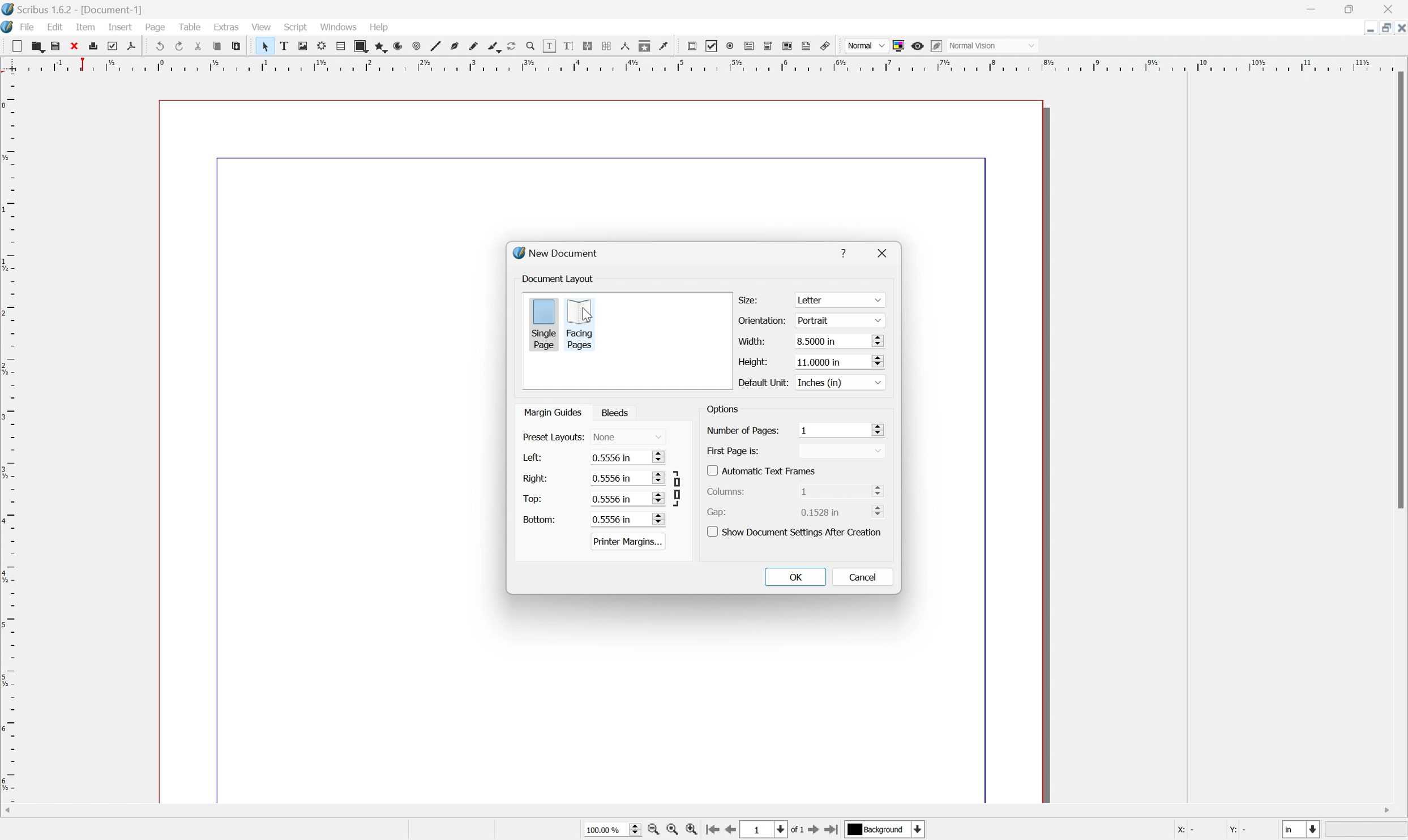 This screenshot has width=1408, height=840. I want to click on document layout, so click(559, 278).